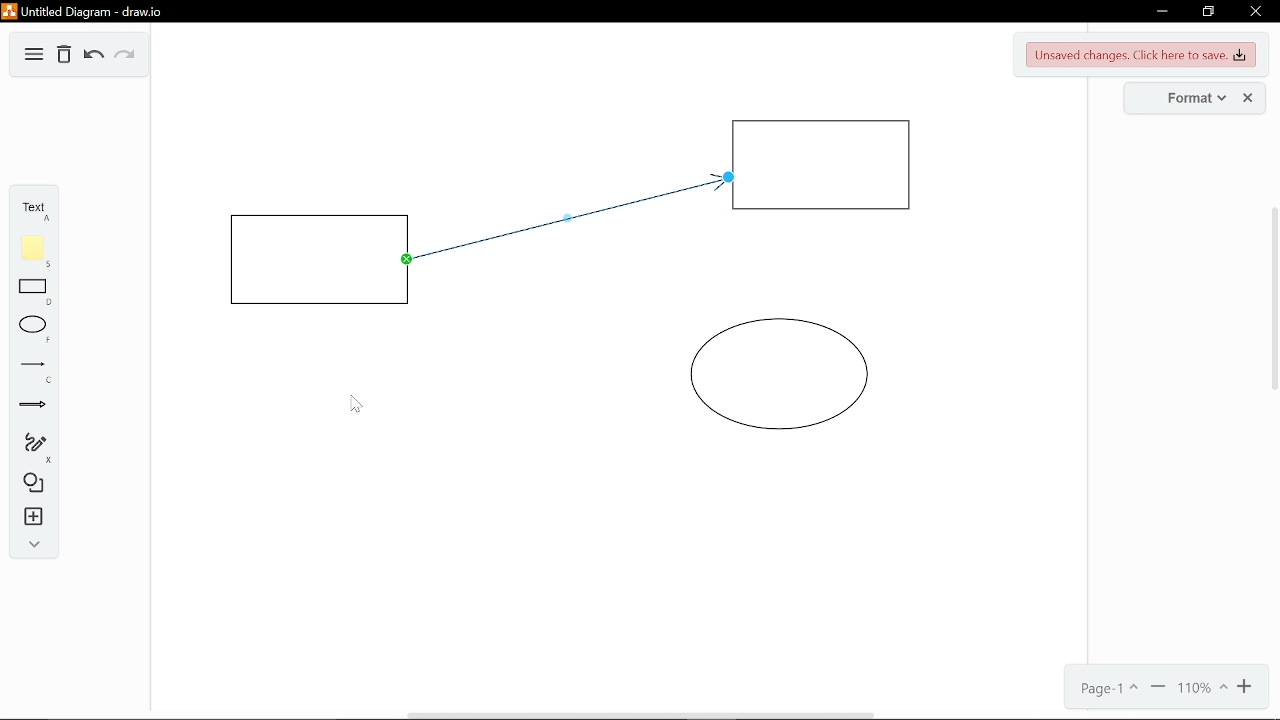 Image resolution: width=1280 pixels, height=720 pixels. What do you see at coordinates (356, 404) in the screenshot?
I see `Pointer` at bounding box center [356, 404].